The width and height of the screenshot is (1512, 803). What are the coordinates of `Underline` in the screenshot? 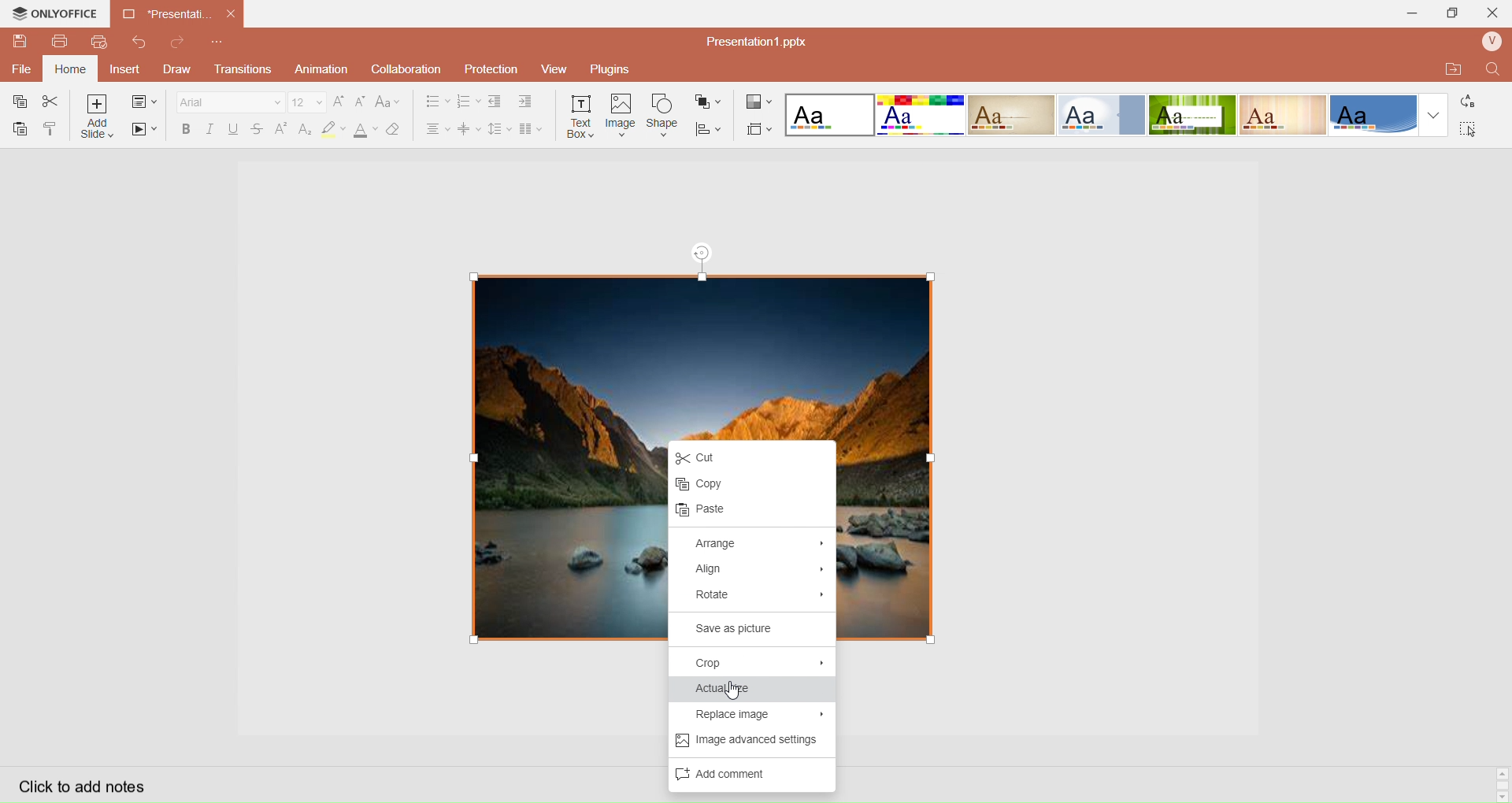 It's located at (233, 130).